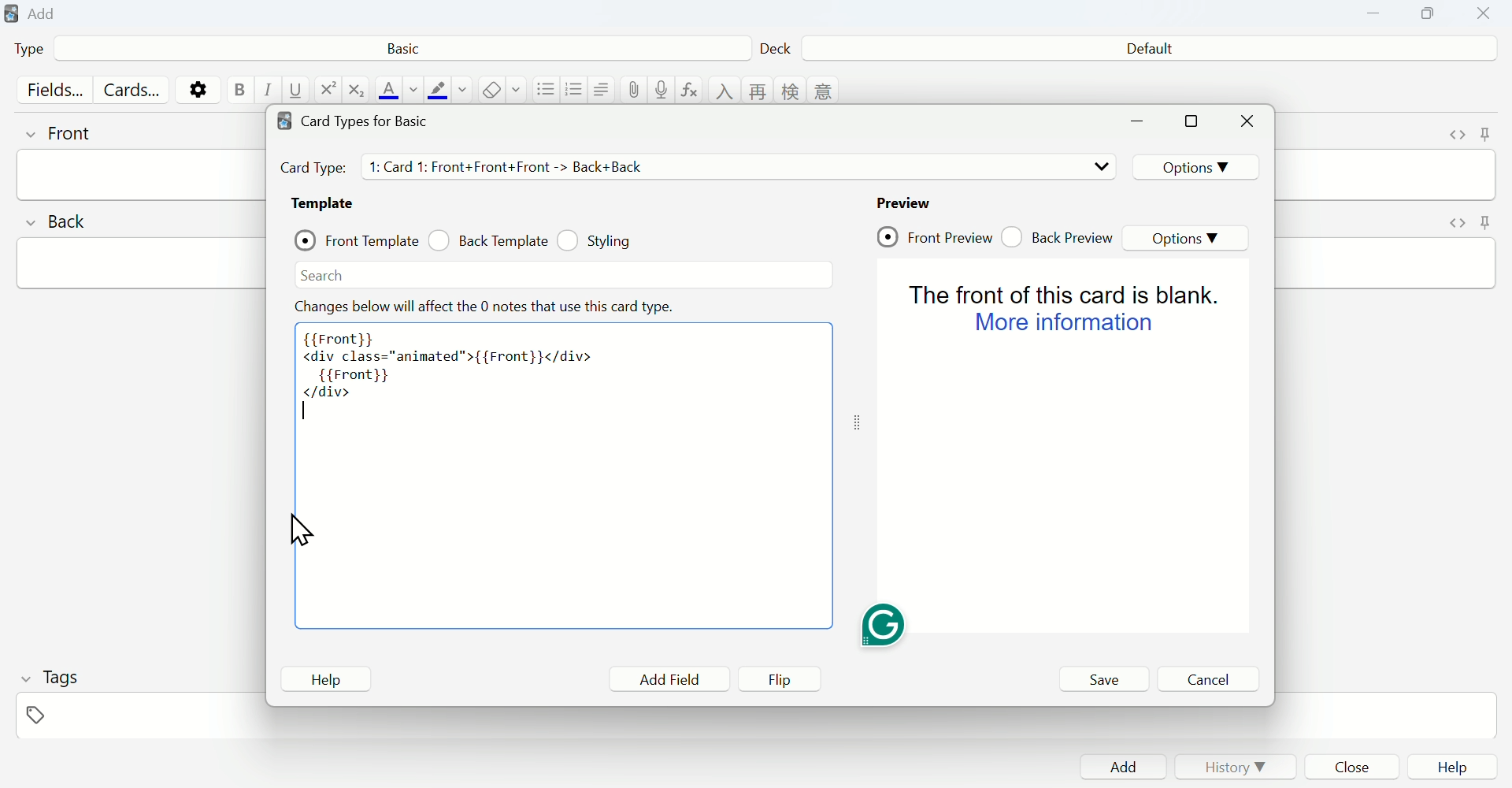 This screenshot has height=788, width=1512. Describe the element at coordinates (633, 90) in the screenshot. I see `attach pictures/audio/video` at that location.